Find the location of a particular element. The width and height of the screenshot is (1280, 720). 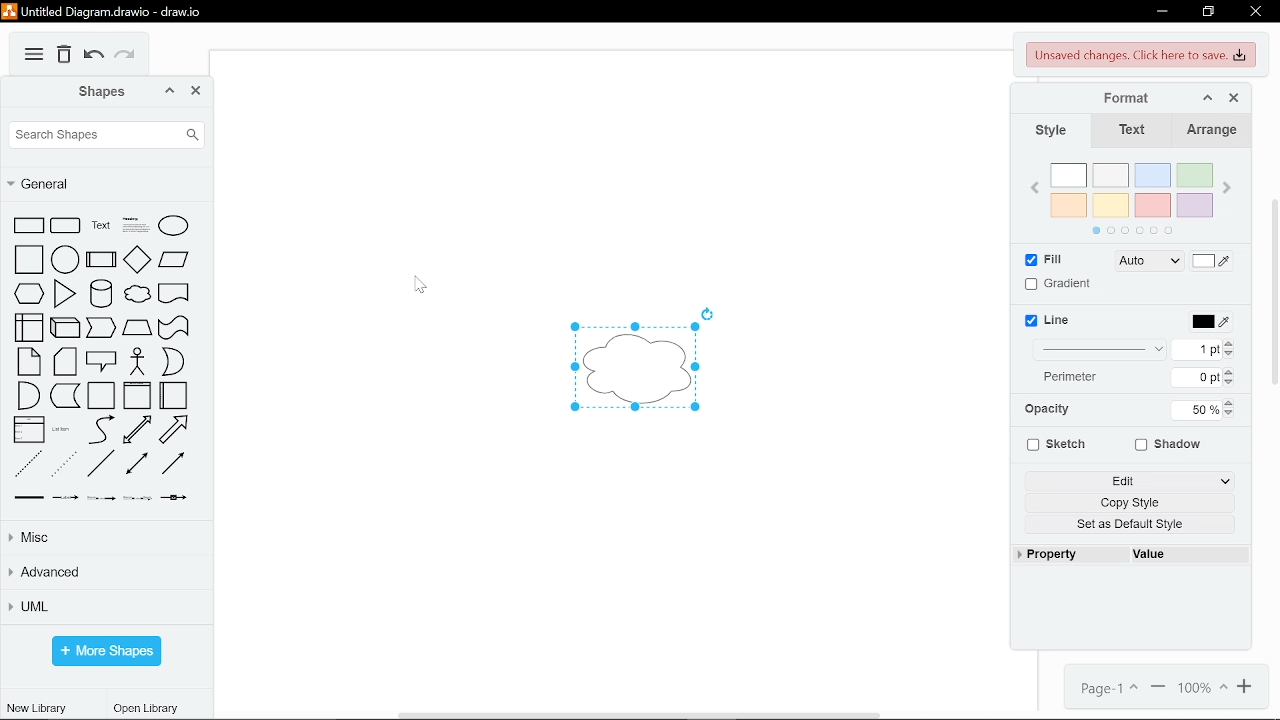

collapse is located at coordinates (172, 92).